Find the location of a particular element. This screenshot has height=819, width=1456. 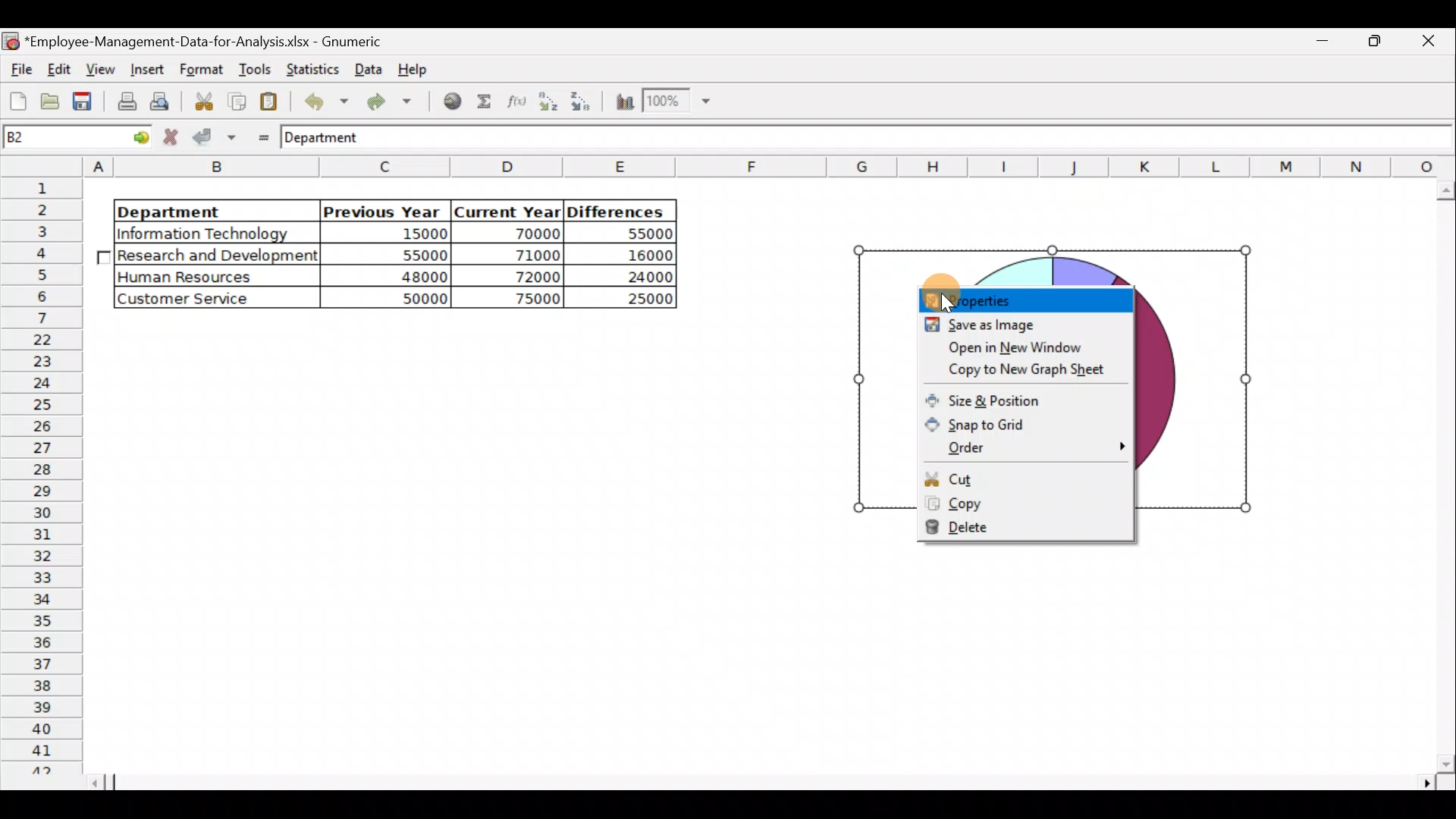

Accept change is located at coordinates (215, 137).